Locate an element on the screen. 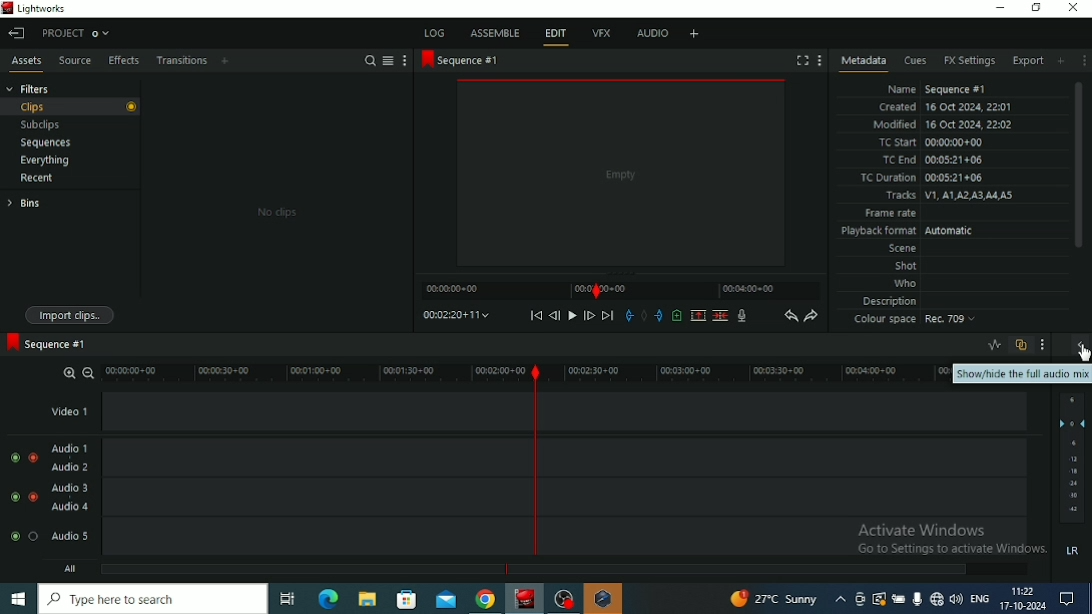 This screenshot has height=614, width=1092. Warning is located at coordinates (879, 598).